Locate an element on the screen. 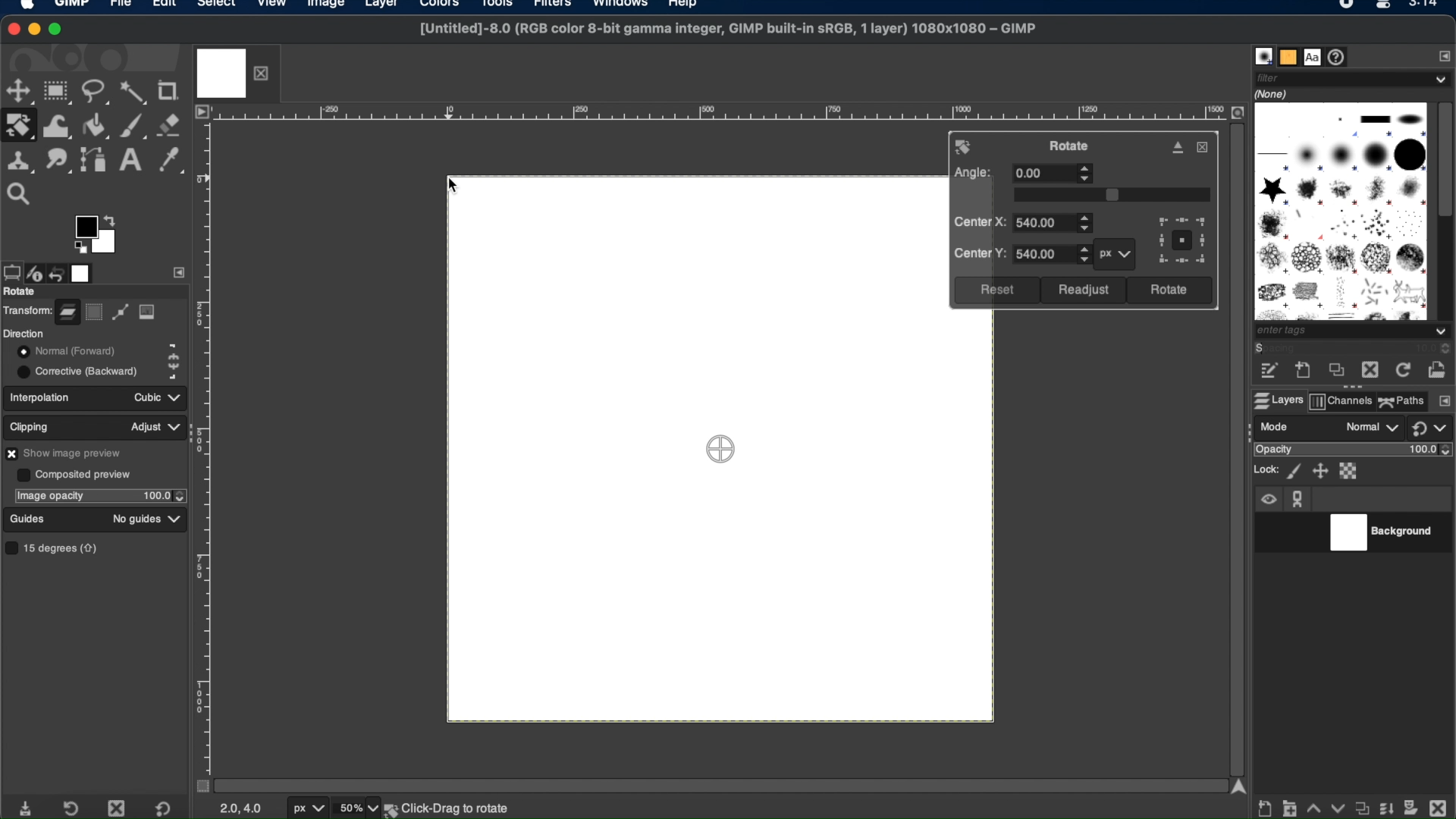  toggle mask on/off is located at coordinates (198, 786).